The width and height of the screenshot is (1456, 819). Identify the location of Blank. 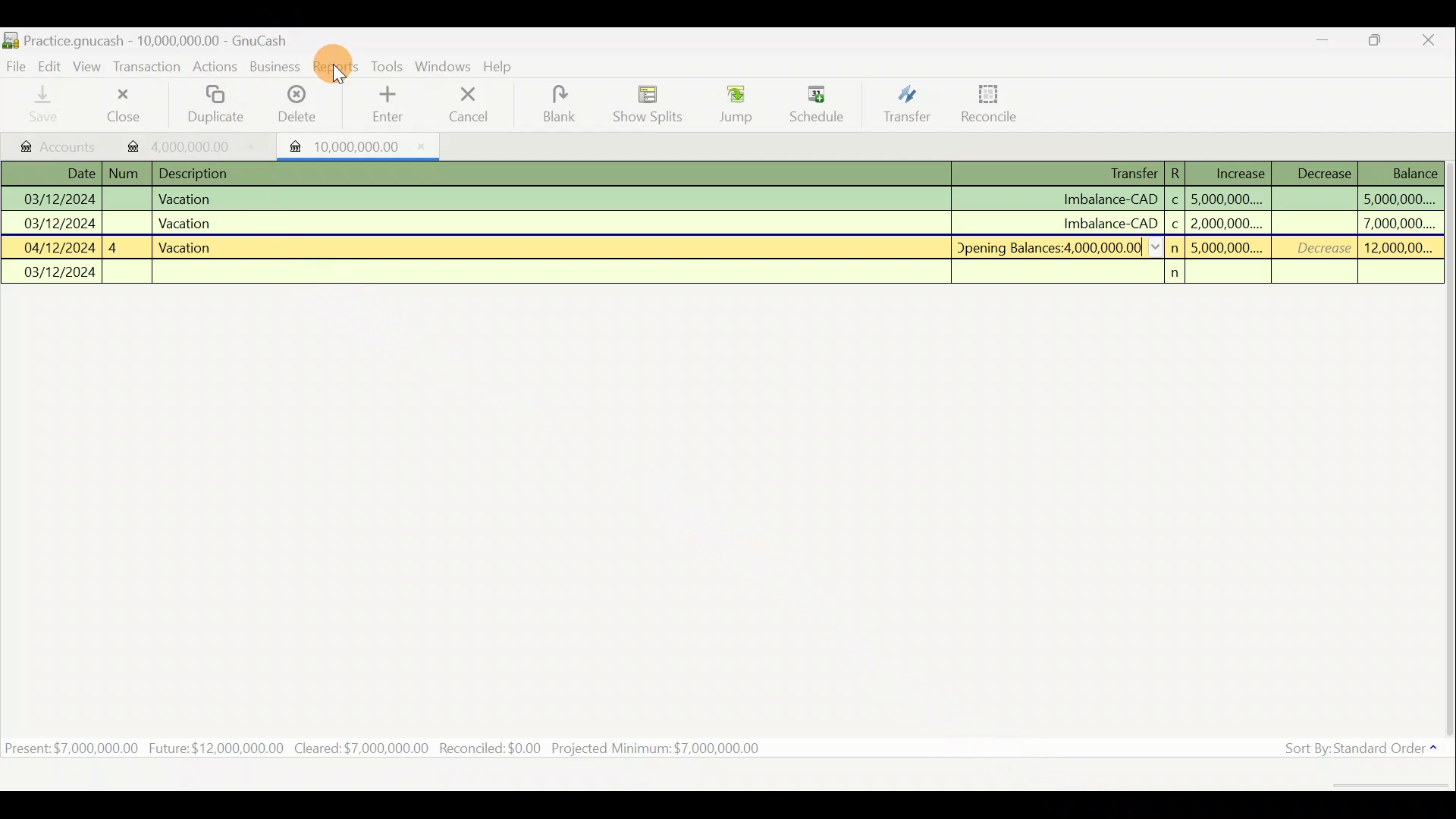
(554, 102).